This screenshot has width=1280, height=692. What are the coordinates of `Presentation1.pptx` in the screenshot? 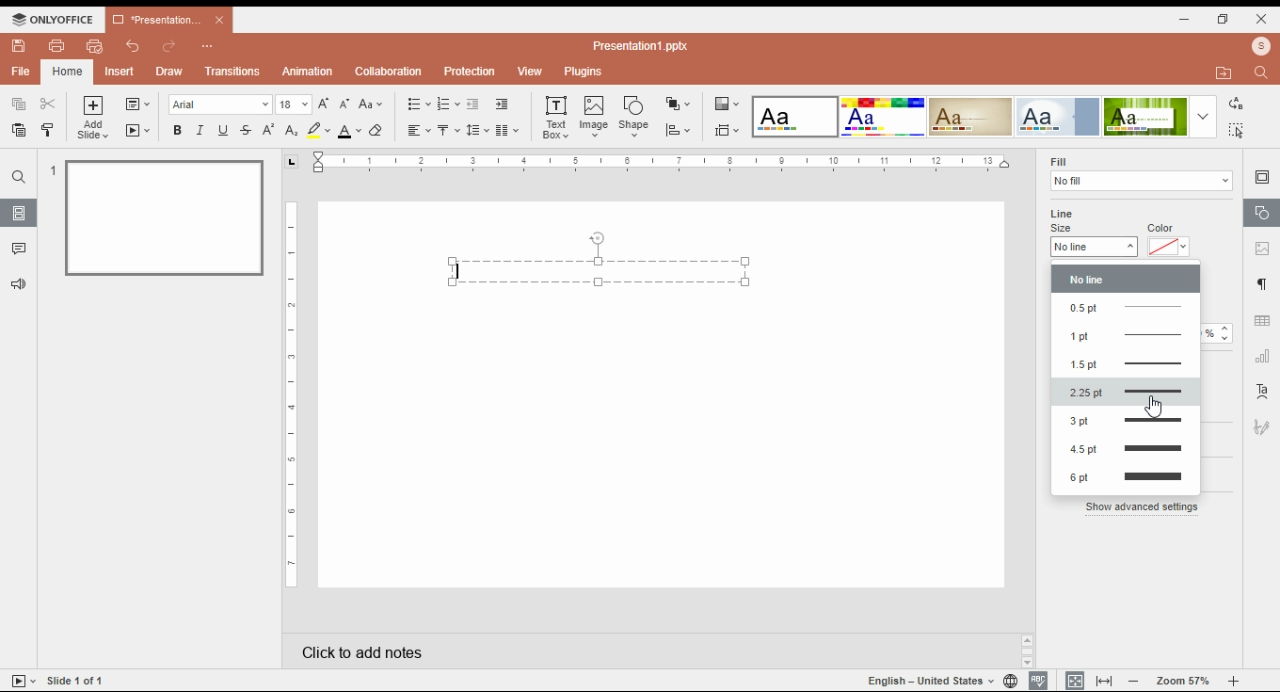 It's located at (640, 46).